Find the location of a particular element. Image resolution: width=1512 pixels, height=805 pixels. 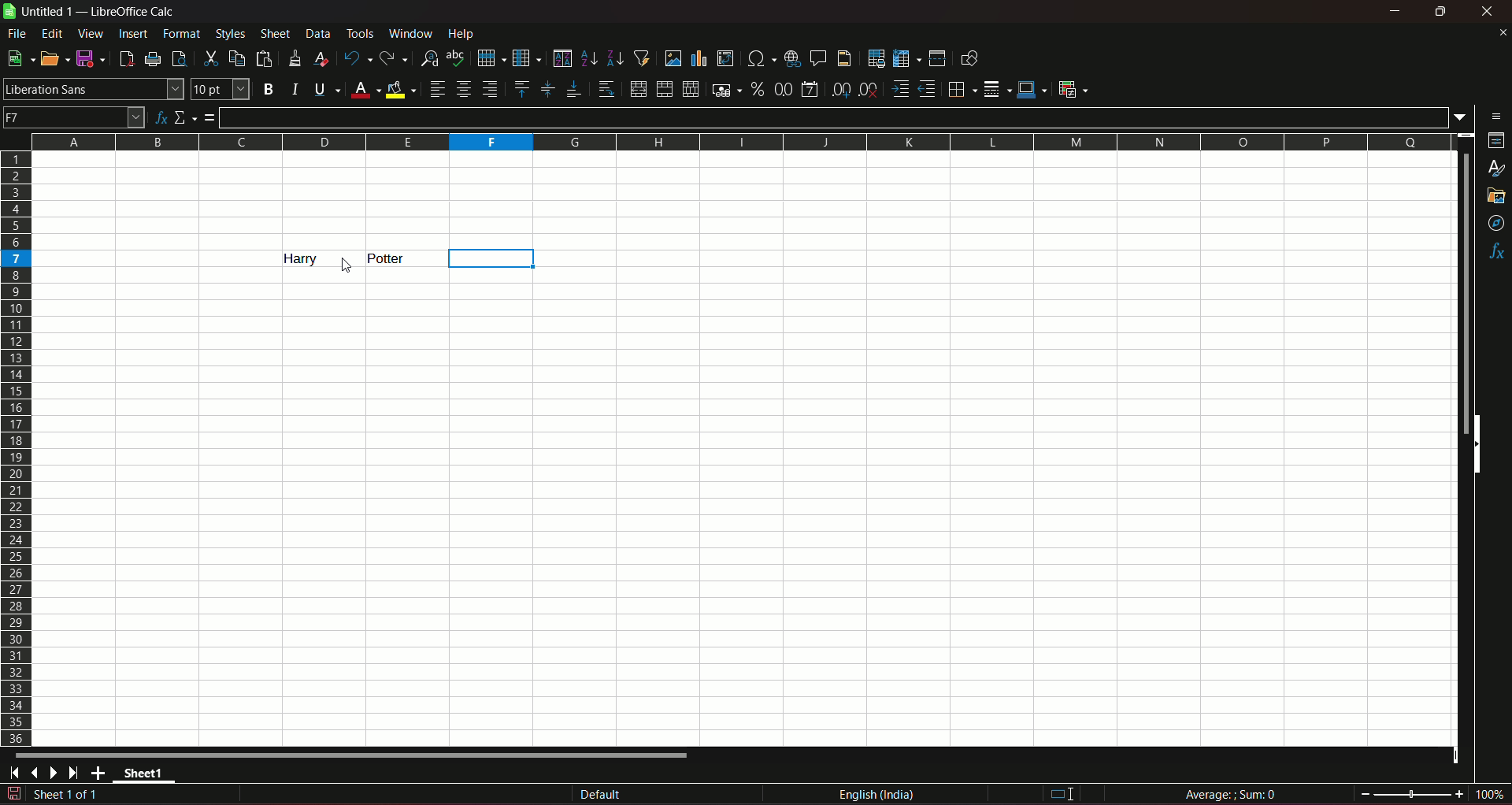

toggle print preview is located at coordinates (177, 57).